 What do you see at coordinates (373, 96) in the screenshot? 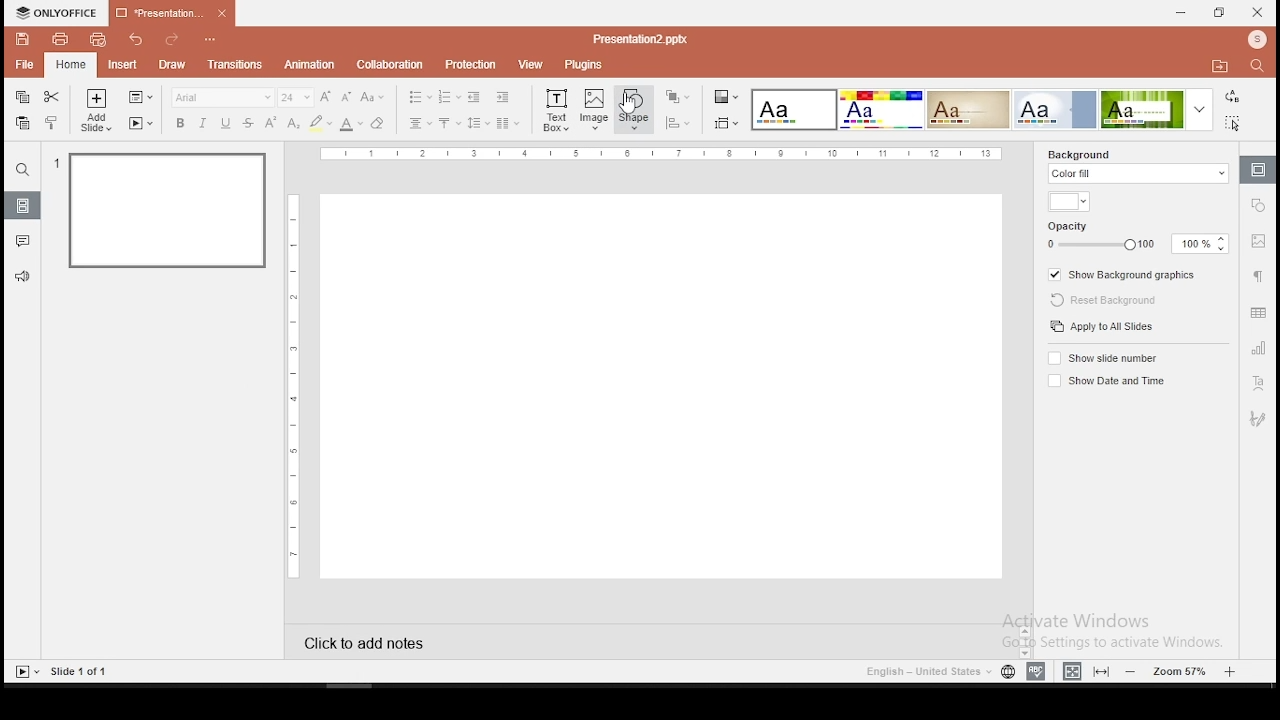
I see `change case` at bounding box center [373, 96].